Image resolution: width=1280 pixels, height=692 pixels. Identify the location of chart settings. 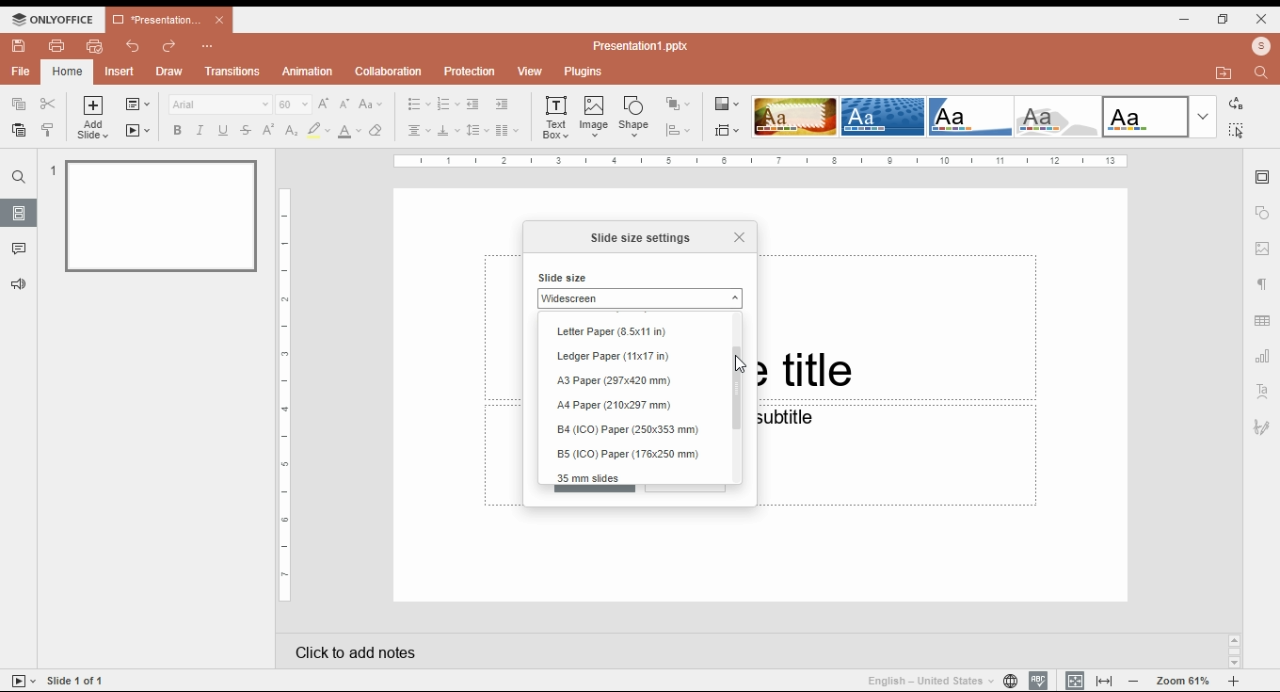
(1264, 356).